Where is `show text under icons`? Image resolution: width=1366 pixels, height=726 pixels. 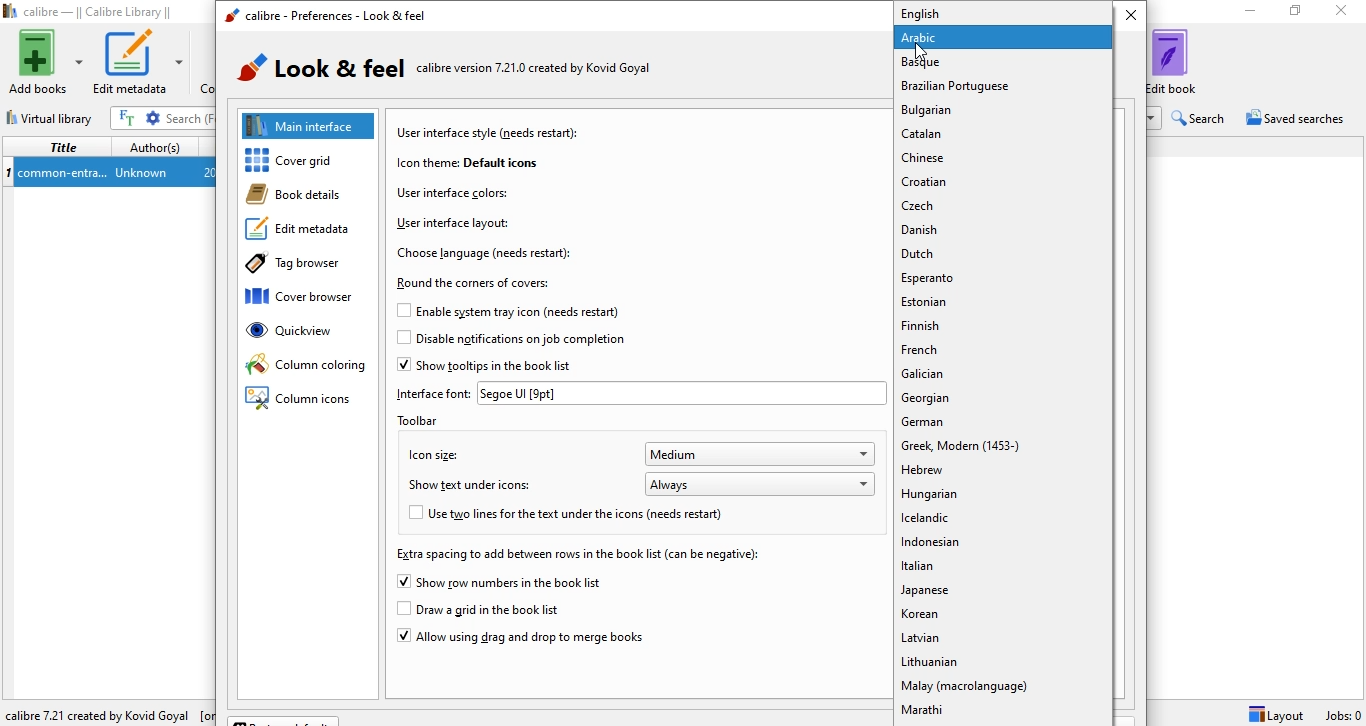
show text under icons is located at coordinates (474, 487).